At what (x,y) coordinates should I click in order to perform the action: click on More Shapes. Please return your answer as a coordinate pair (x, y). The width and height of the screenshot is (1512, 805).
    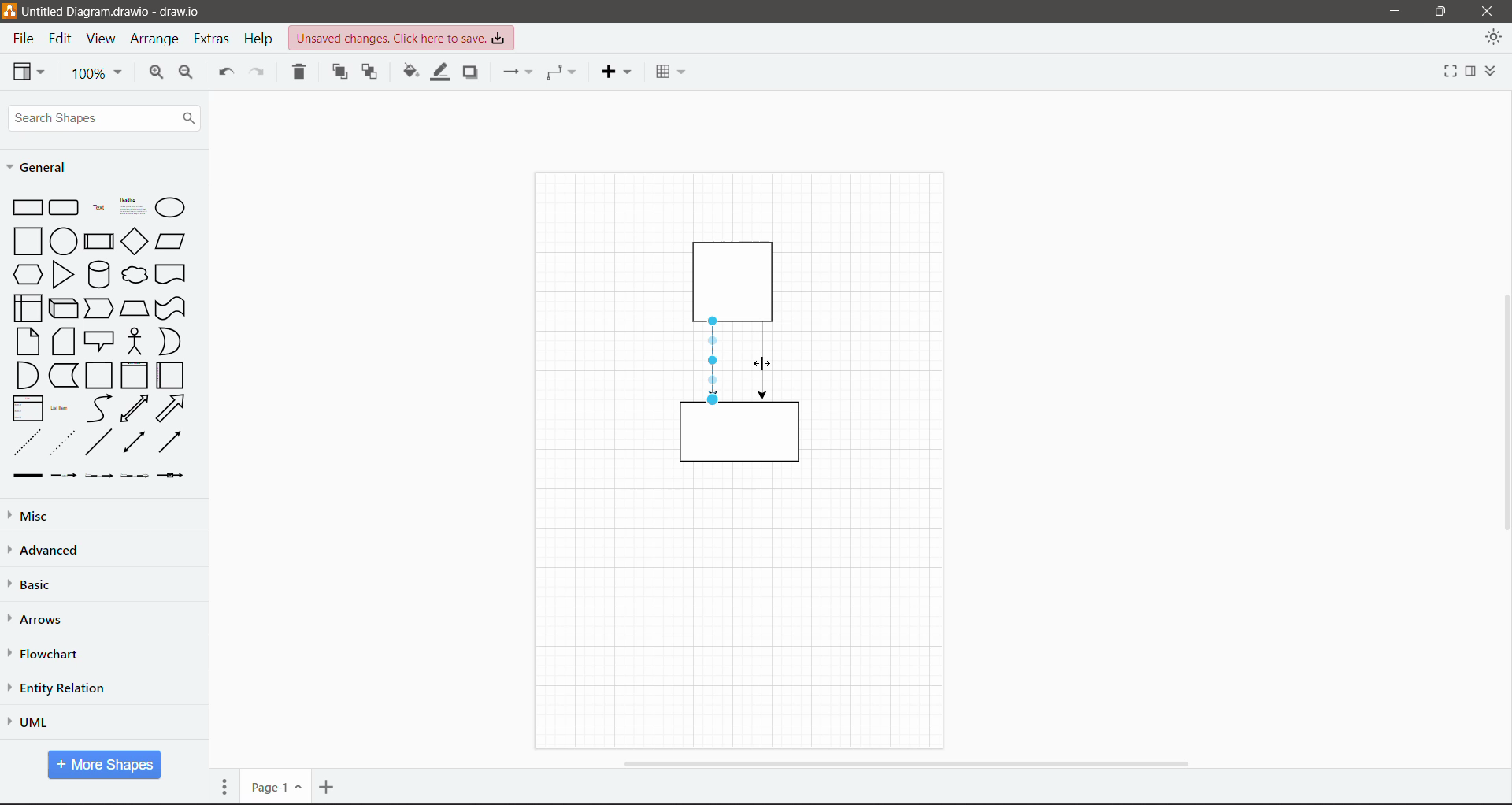
    Looking at the image, I should click on (105, 765).